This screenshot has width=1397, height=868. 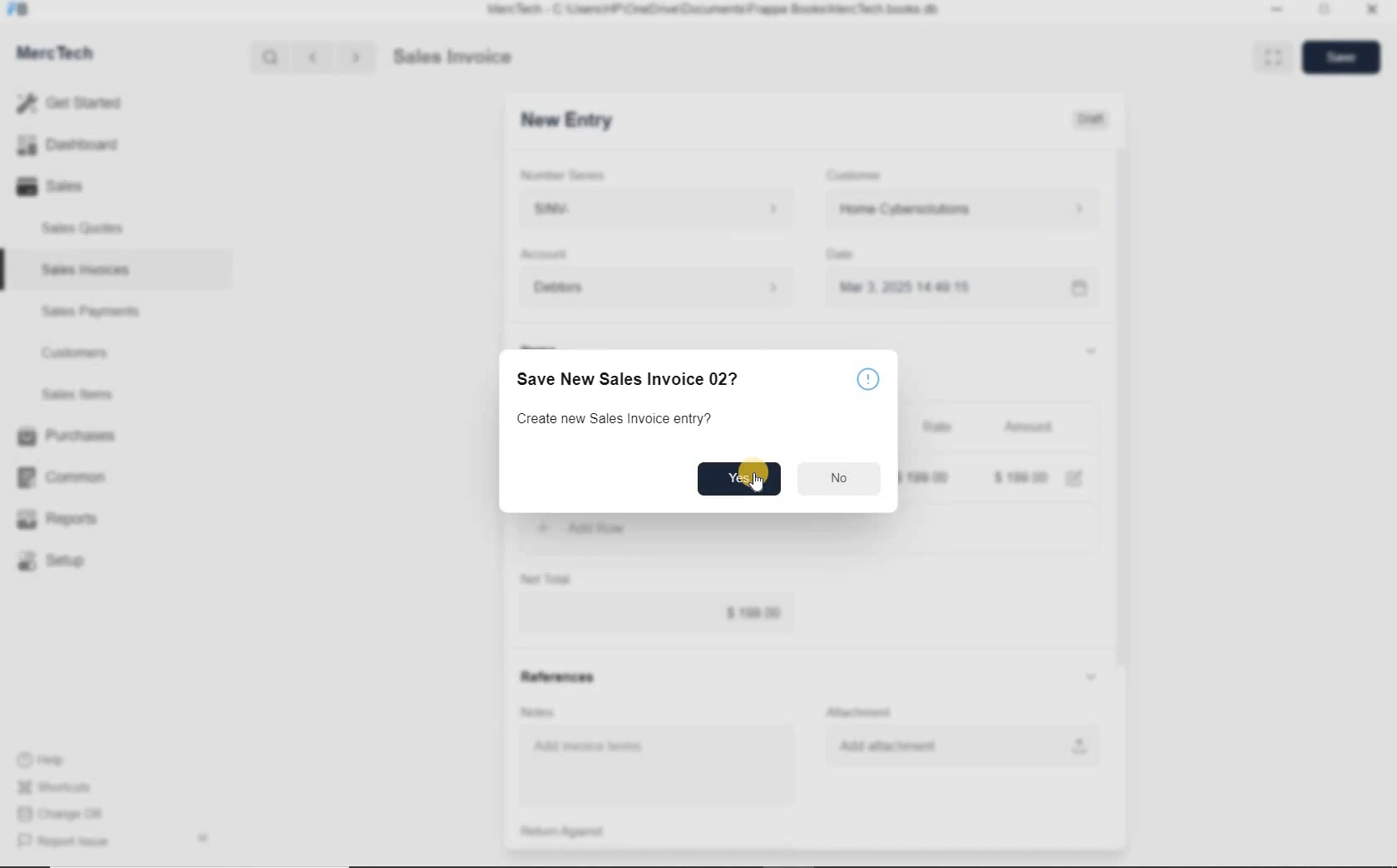 What do you see at coordinates (575, 831) in the screenshot?
I see `Return Against` at bounding box center [575, 831].